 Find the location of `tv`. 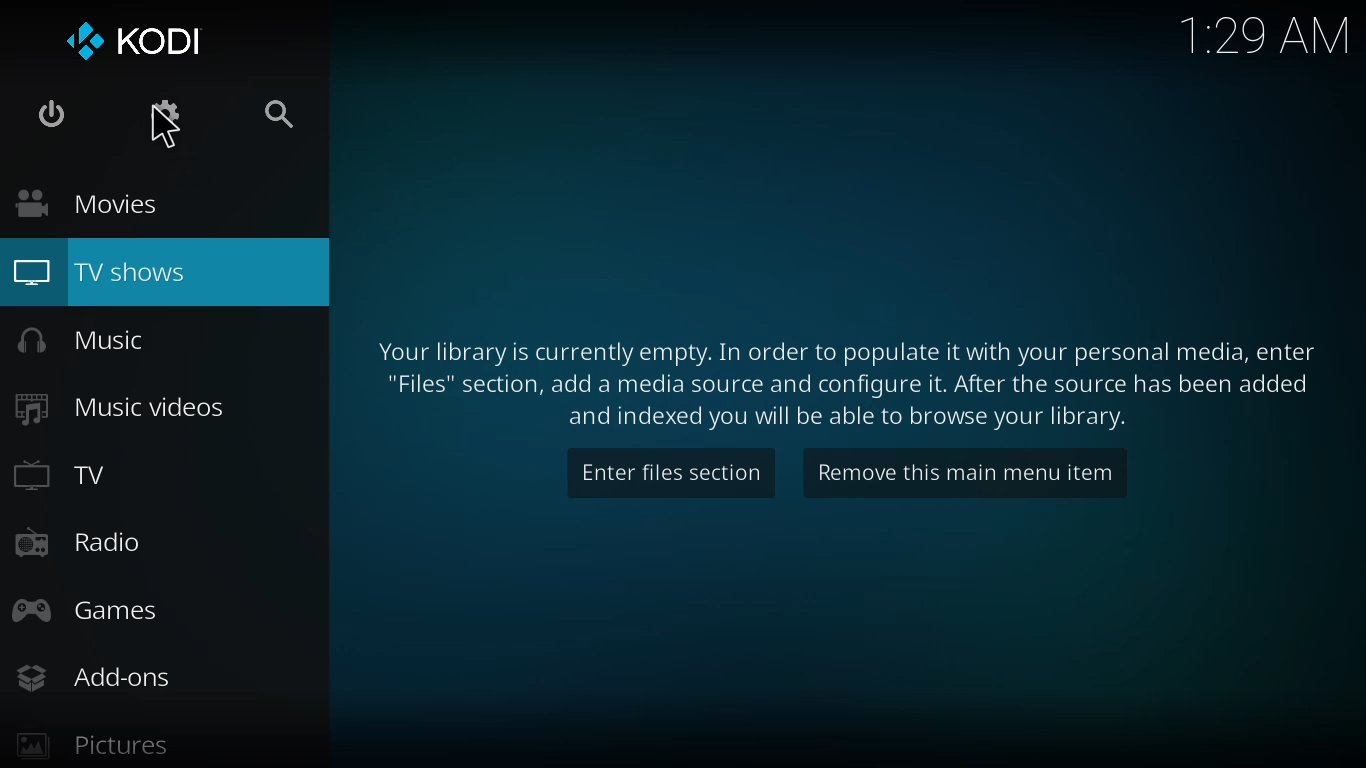

tv is located at coordinates (73, 477).